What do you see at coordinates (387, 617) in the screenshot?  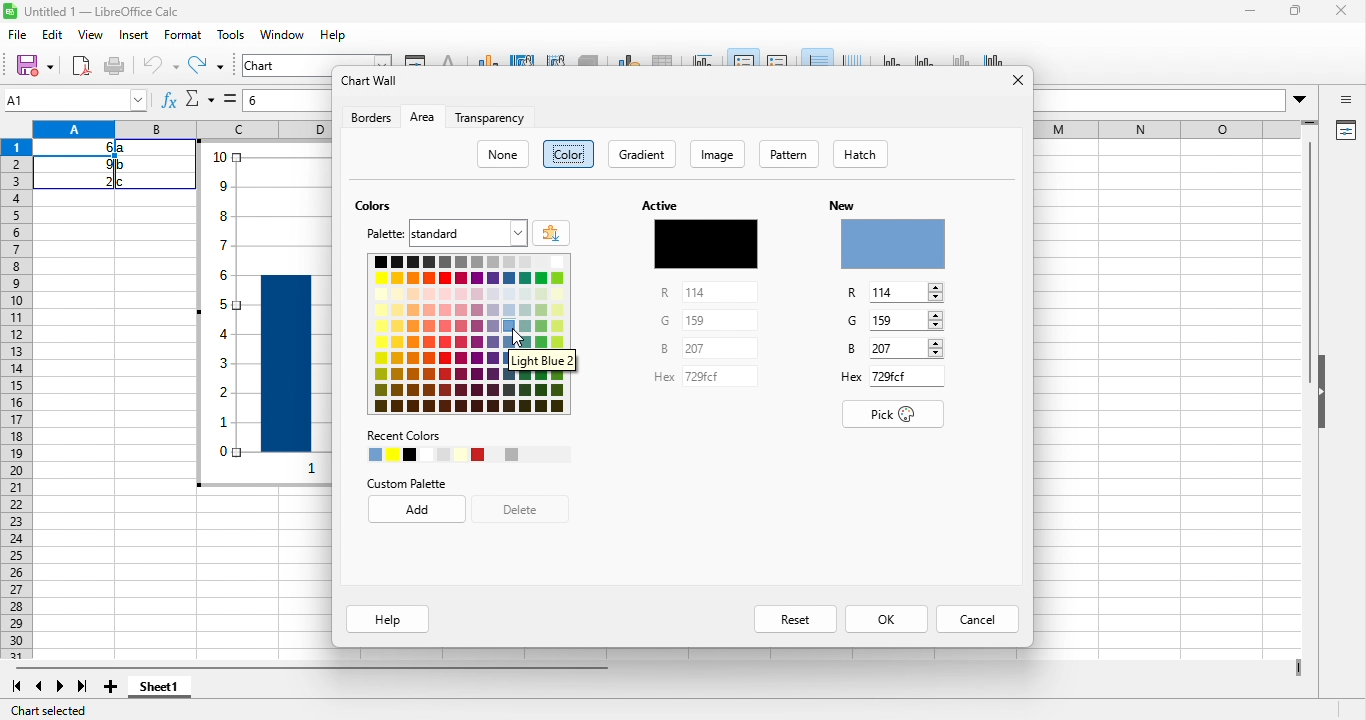 I see `help` at bounding box center [387, 617].